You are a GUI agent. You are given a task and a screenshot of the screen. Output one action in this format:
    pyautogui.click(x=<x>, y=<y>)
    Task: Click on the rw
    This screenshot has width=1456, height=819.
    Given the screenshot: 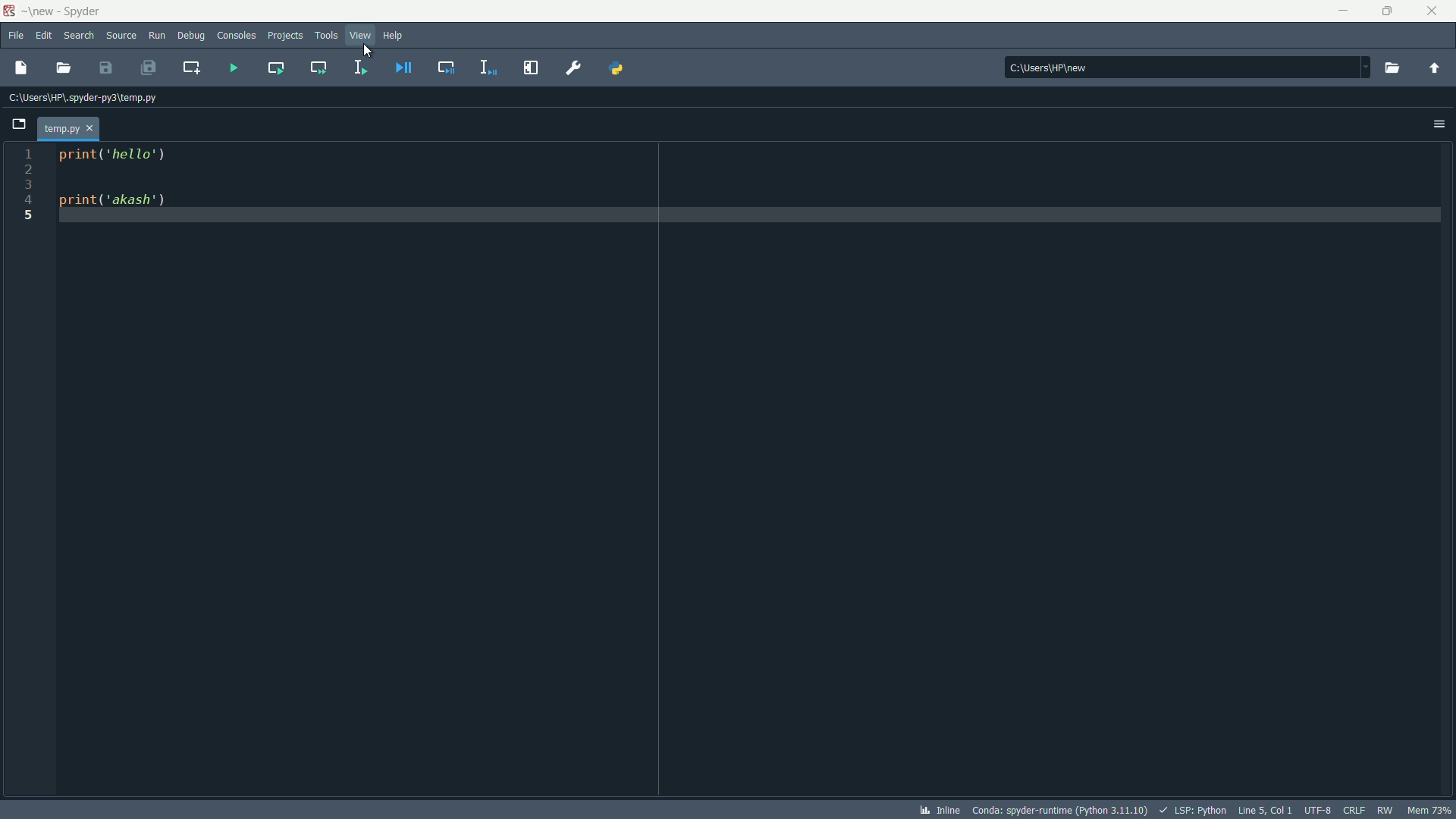 What is the action you would take?
    pyautogui.click(x=1385, y=810)
    